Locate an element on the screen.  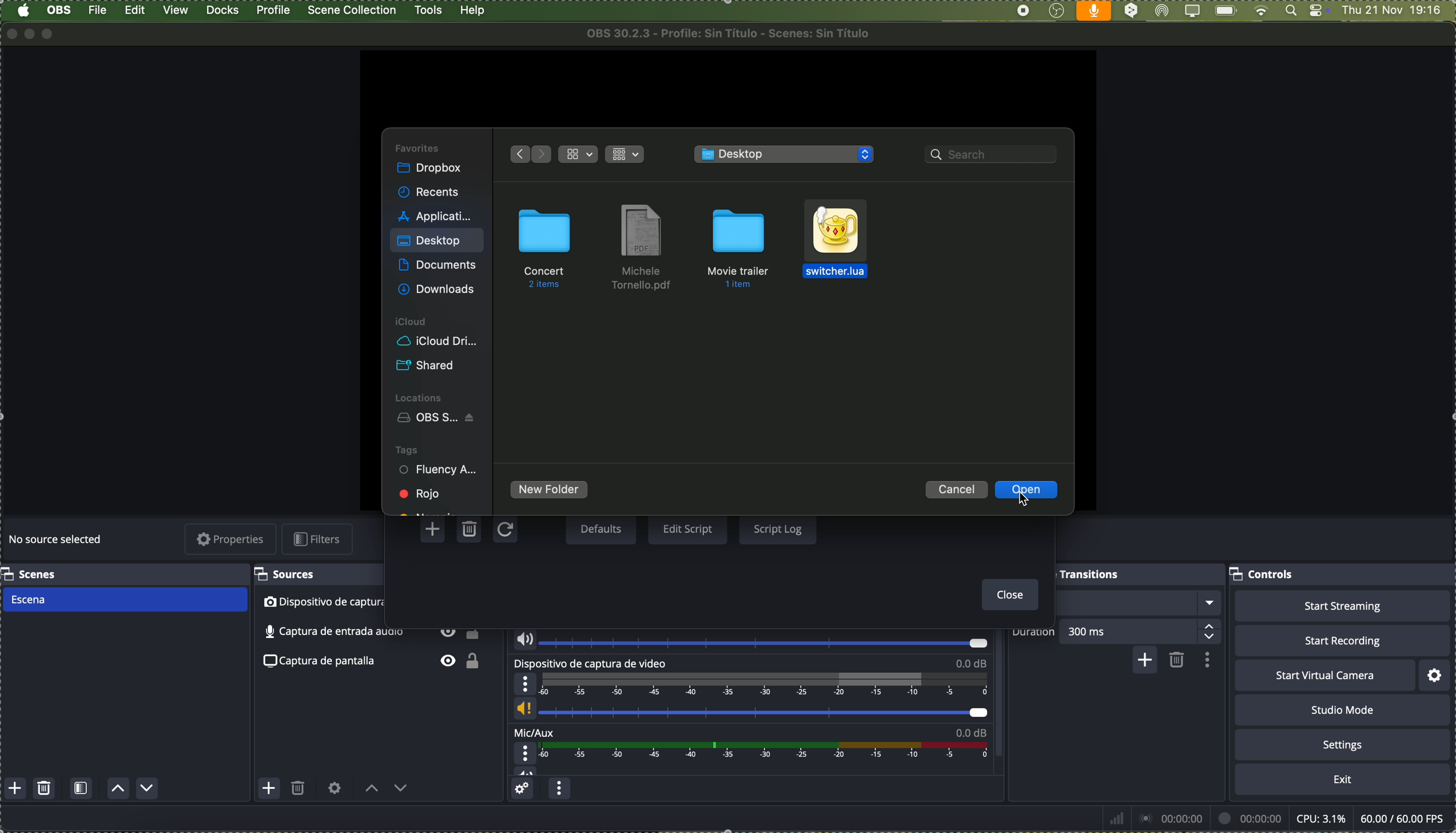
defaults is located at coordinates (600, 530).